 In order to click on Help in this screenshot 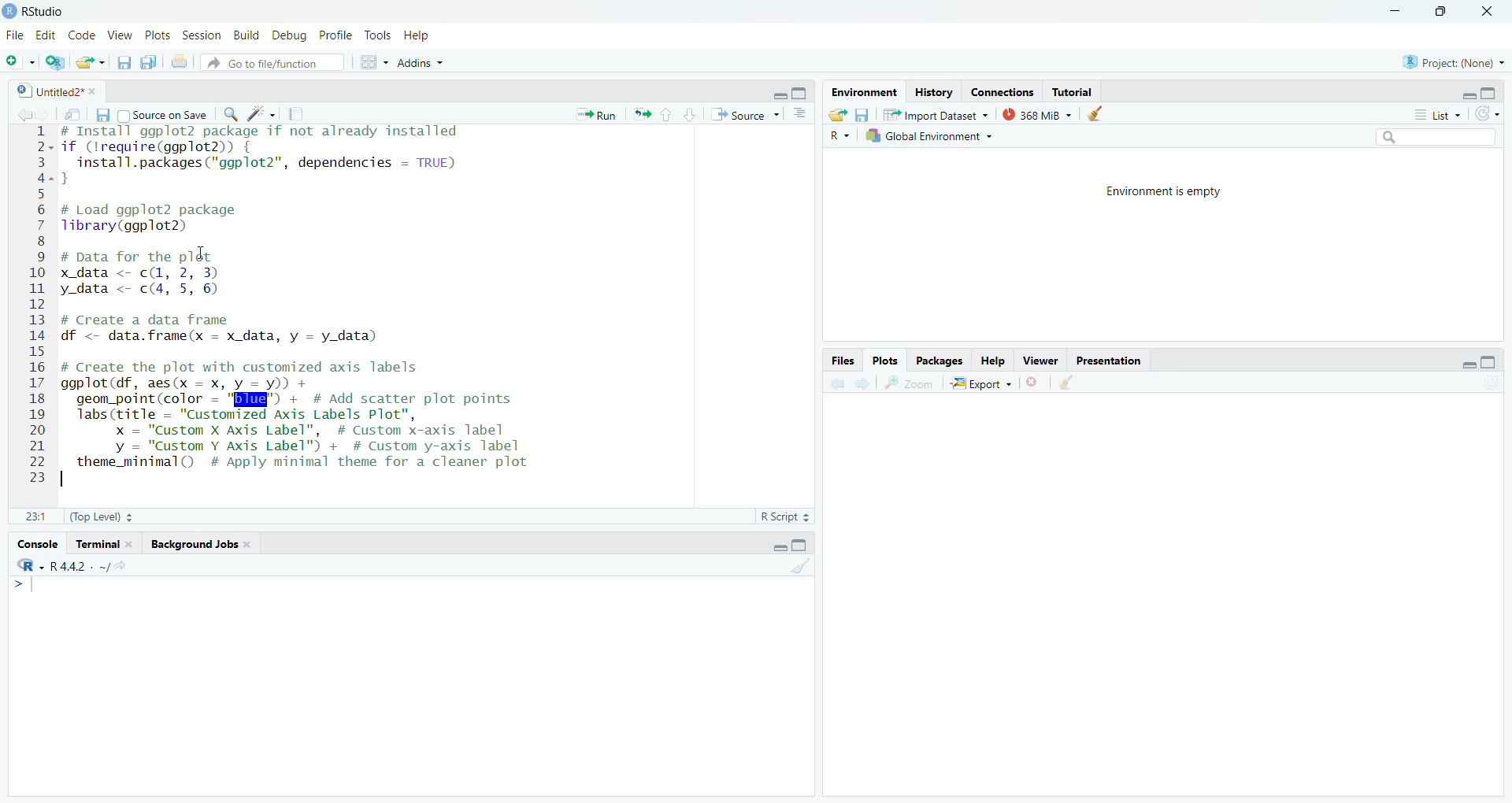, I will do `click(423, 35)`.